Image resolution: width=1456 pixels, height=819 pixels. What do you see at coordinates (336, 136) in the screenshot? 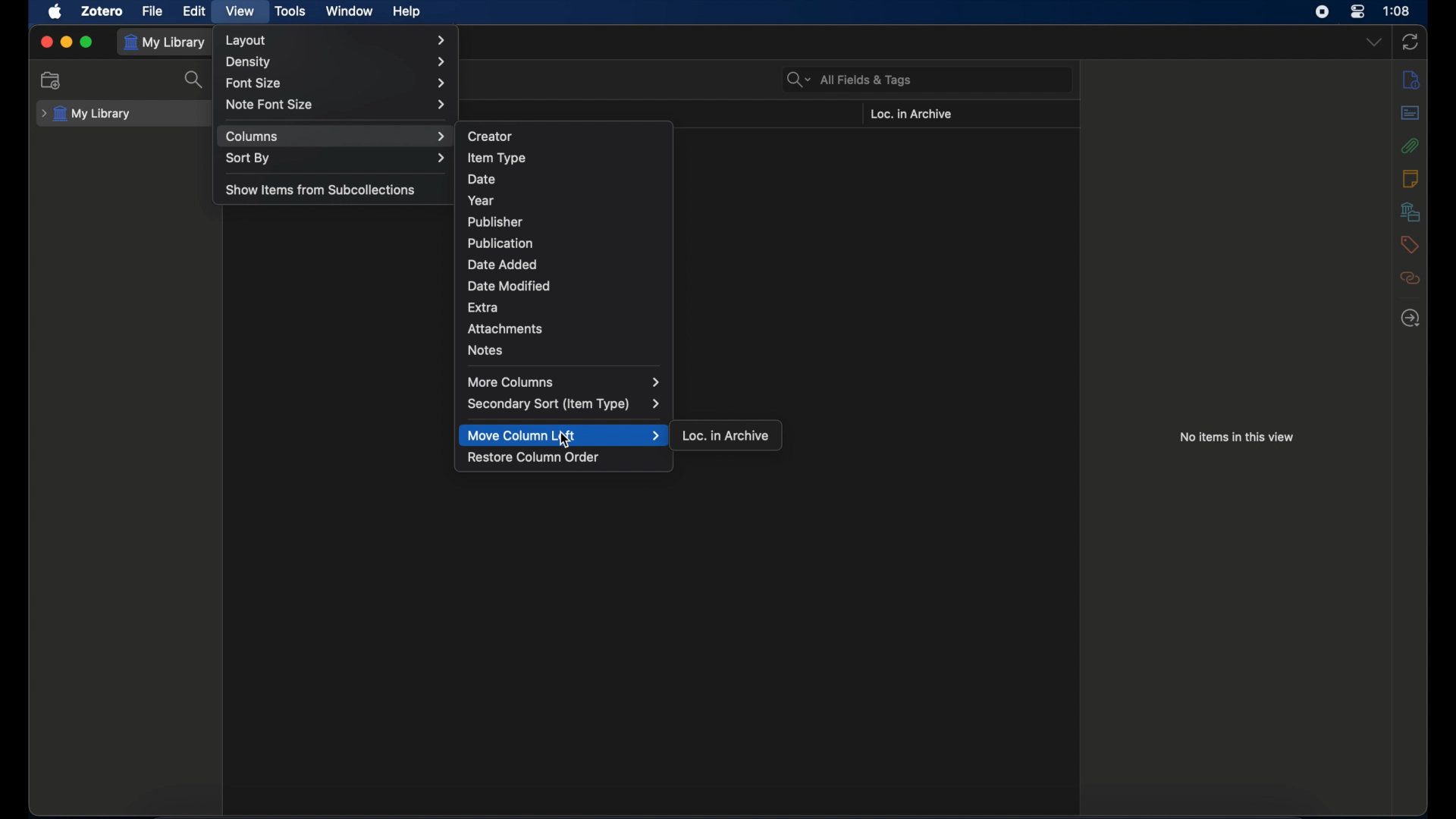
I see `columns` at bounding box center [336, 136].